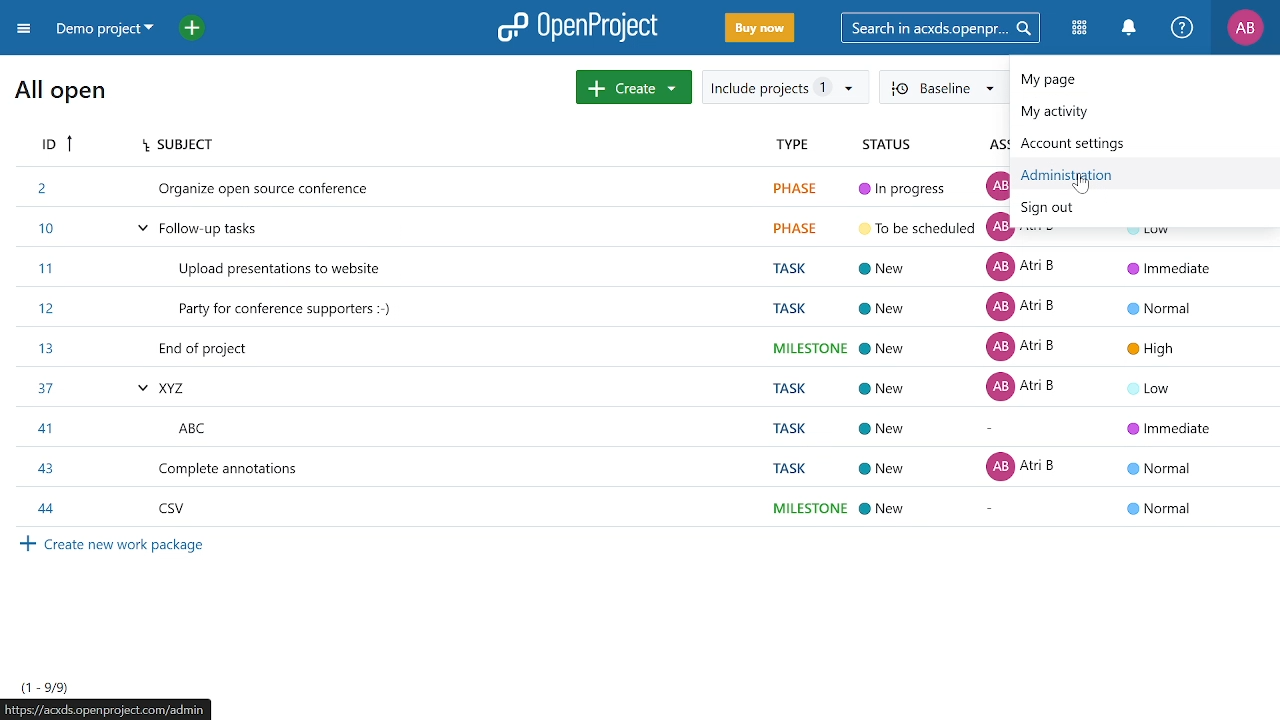 The height and width of the screenshot is (720, 1280). I want to click on My page, so click(1120, 81).